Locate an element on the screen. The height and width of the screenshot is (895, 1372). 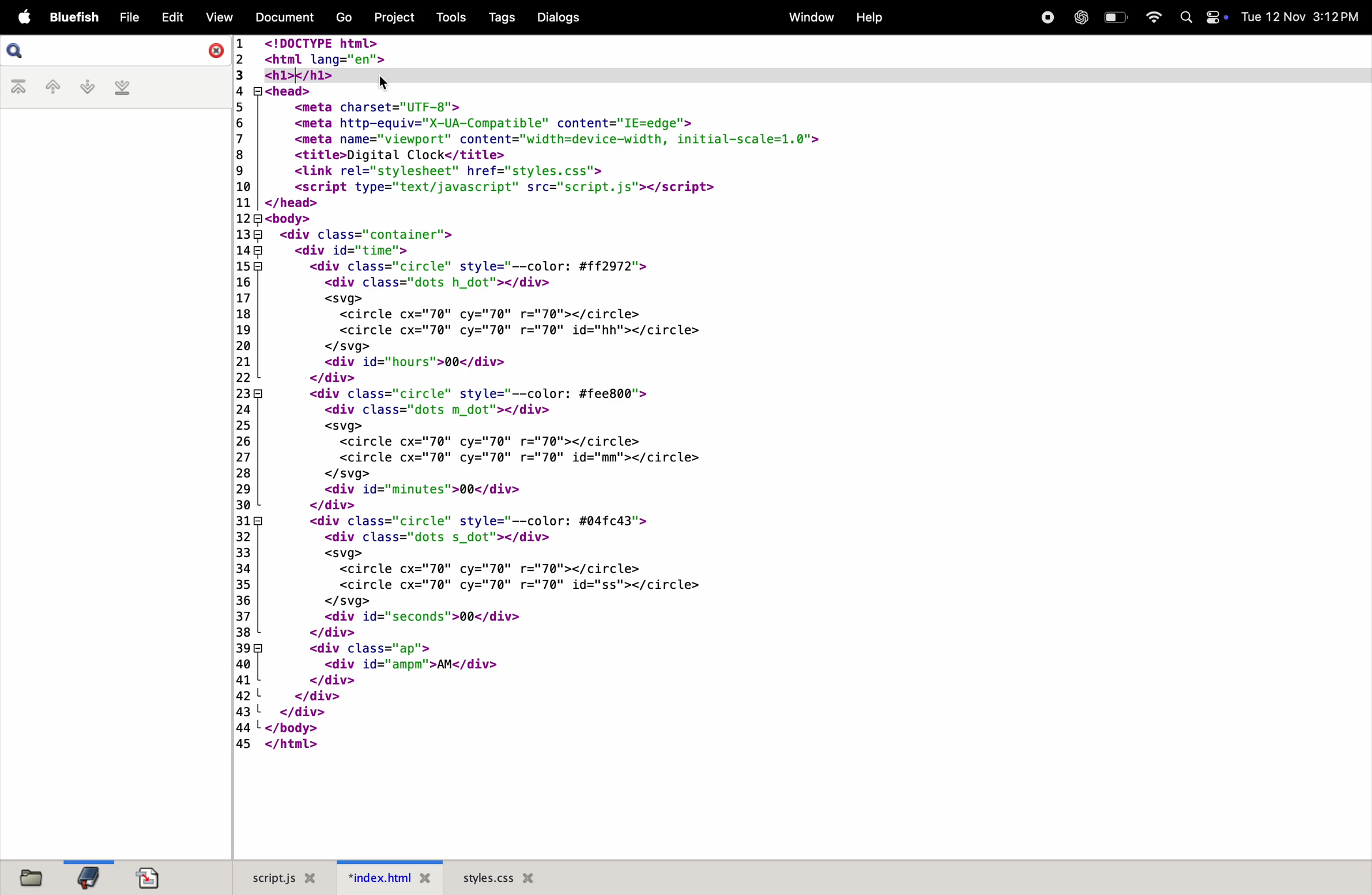
window is located at coordinates (807, 17).